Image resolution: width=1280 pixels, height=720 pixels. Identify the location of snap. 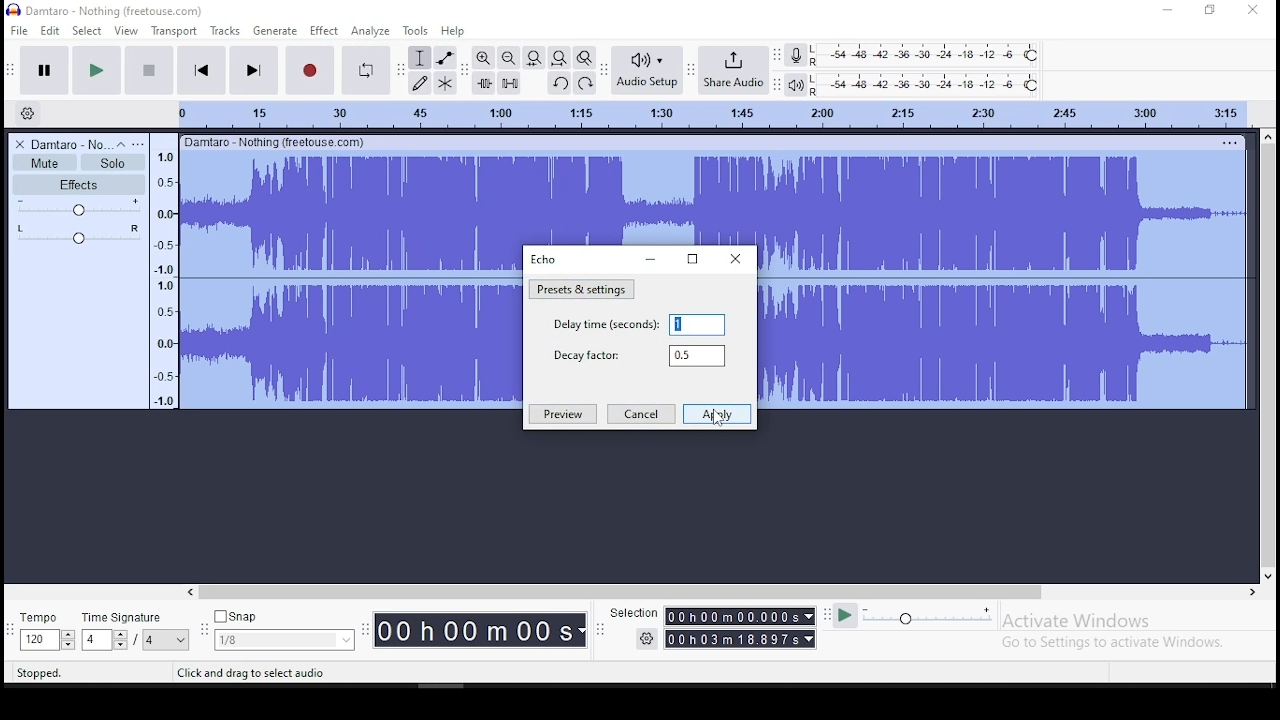
(285, 615).